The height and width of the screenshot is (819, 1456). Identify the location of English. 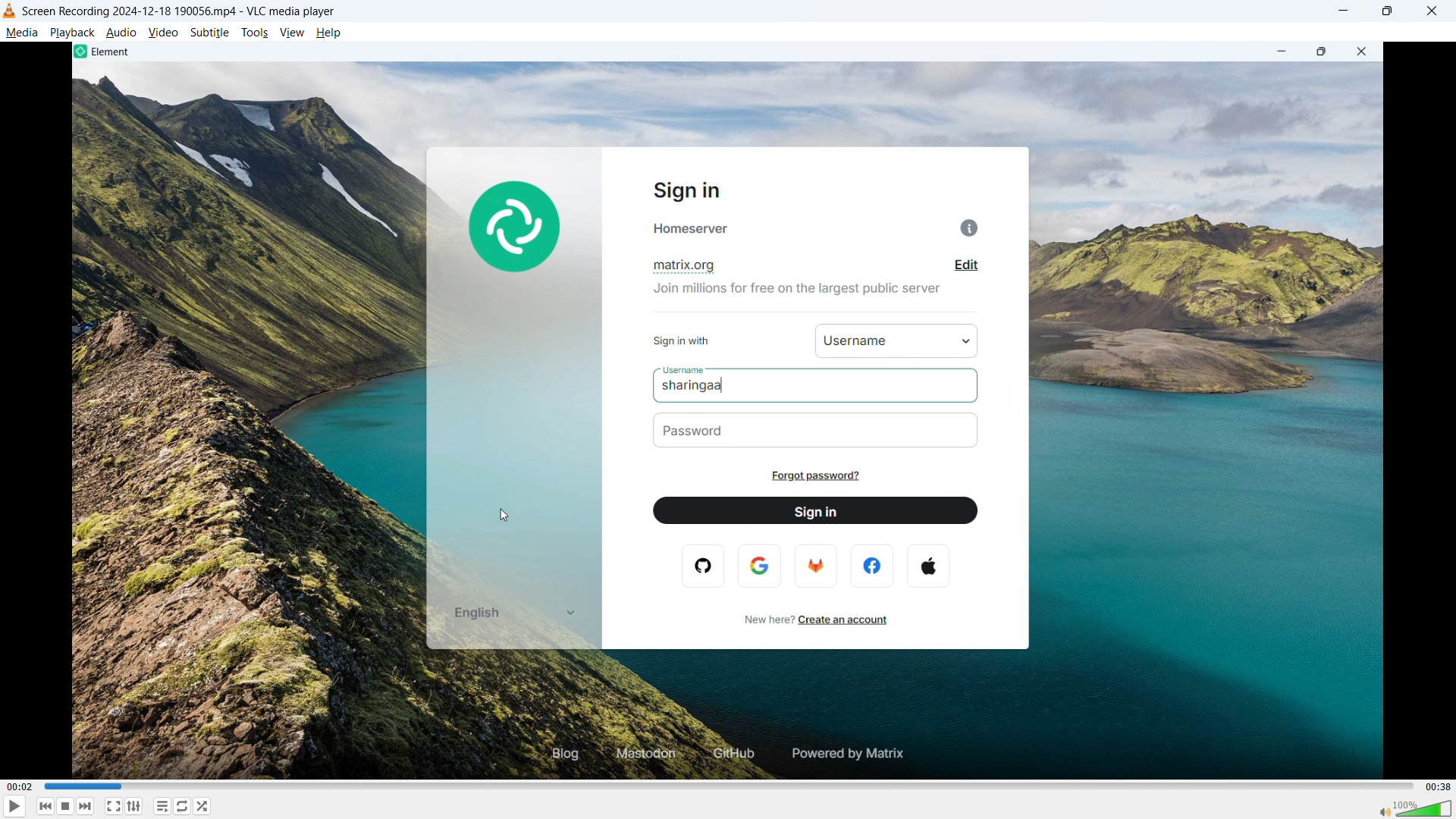
(478, 614).